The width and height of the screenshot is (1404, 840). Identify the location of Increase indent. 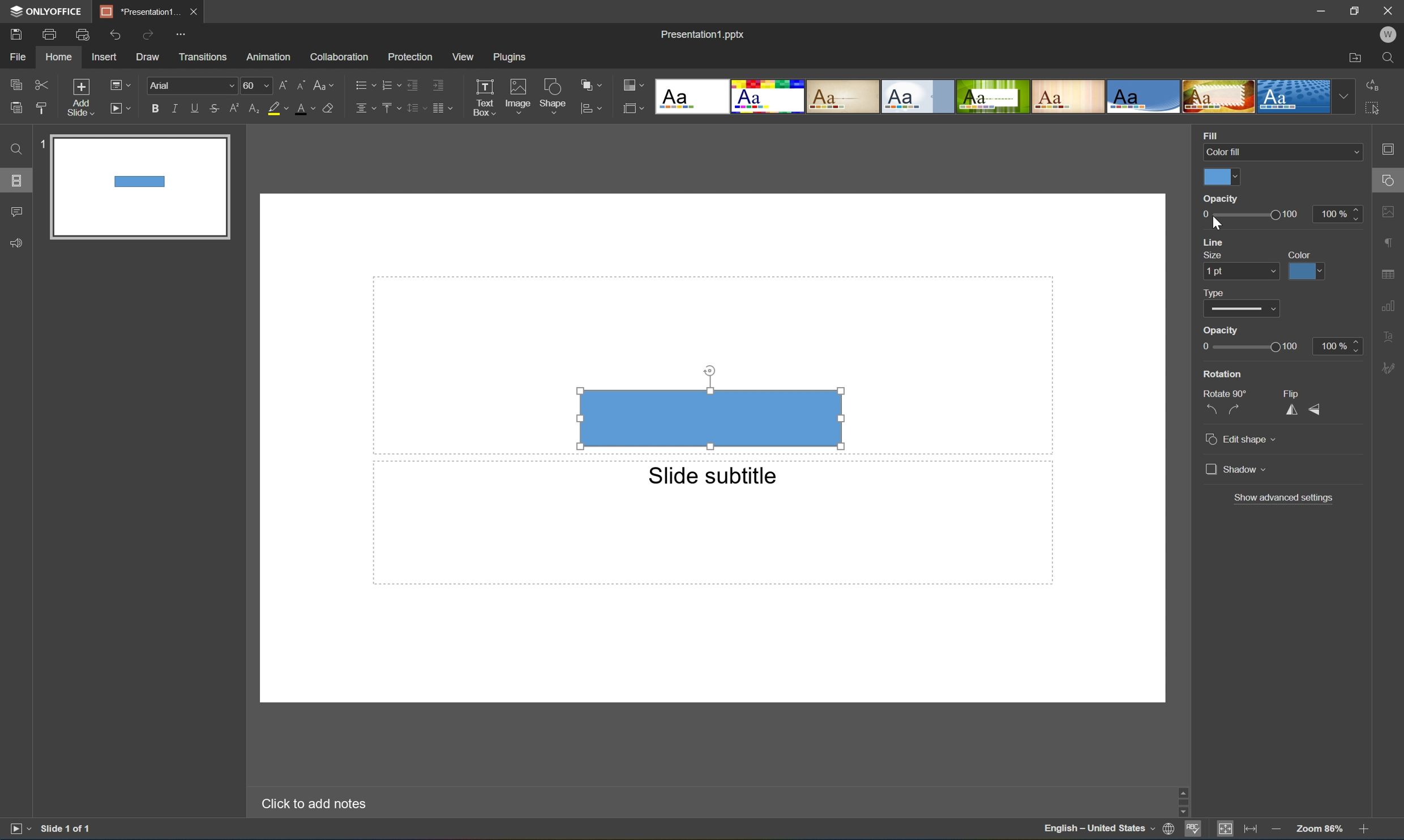
(440, 83).